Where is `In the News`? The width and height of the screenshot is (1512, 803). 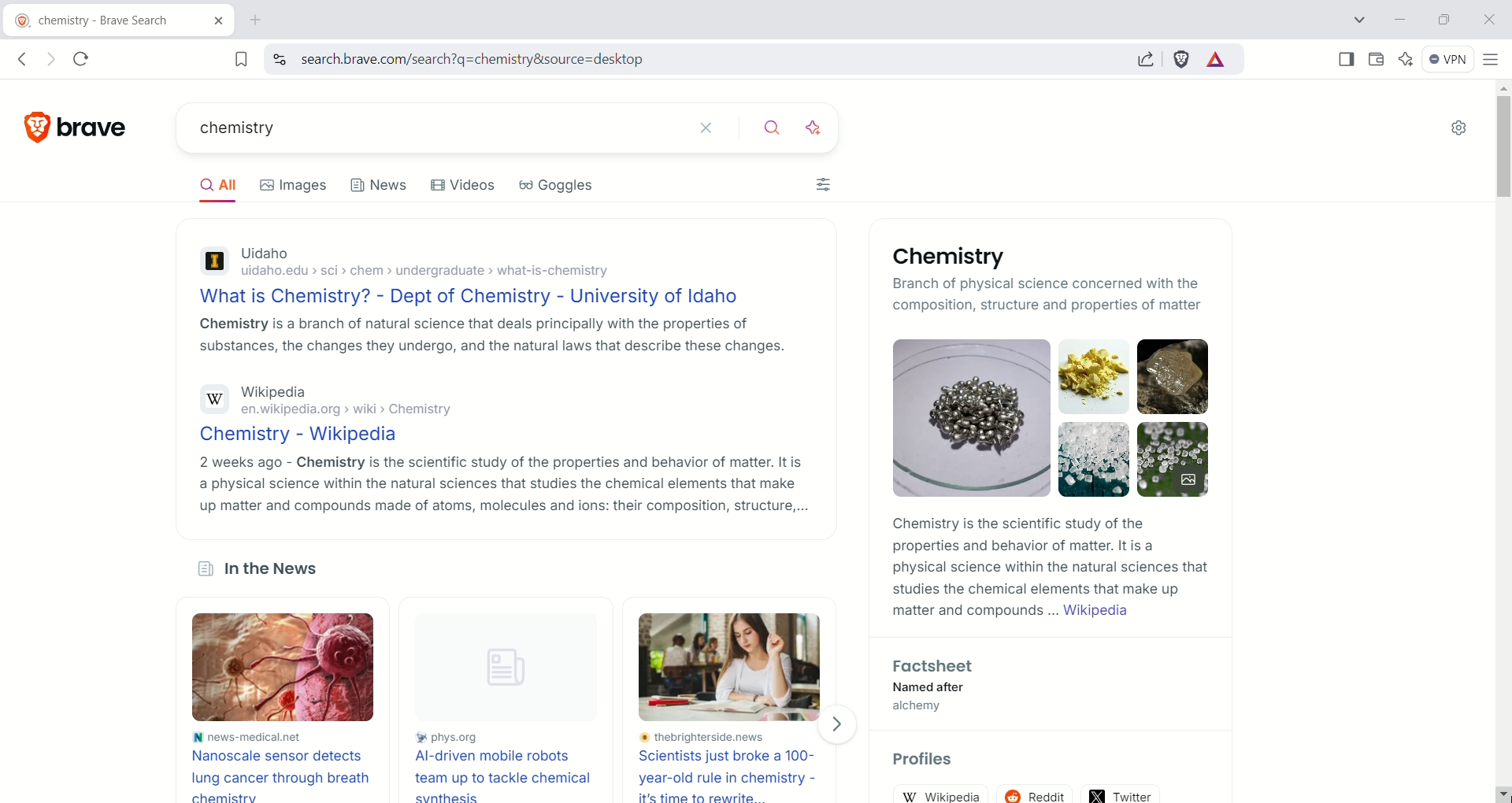 In the News is located at coordinates (256, 572).